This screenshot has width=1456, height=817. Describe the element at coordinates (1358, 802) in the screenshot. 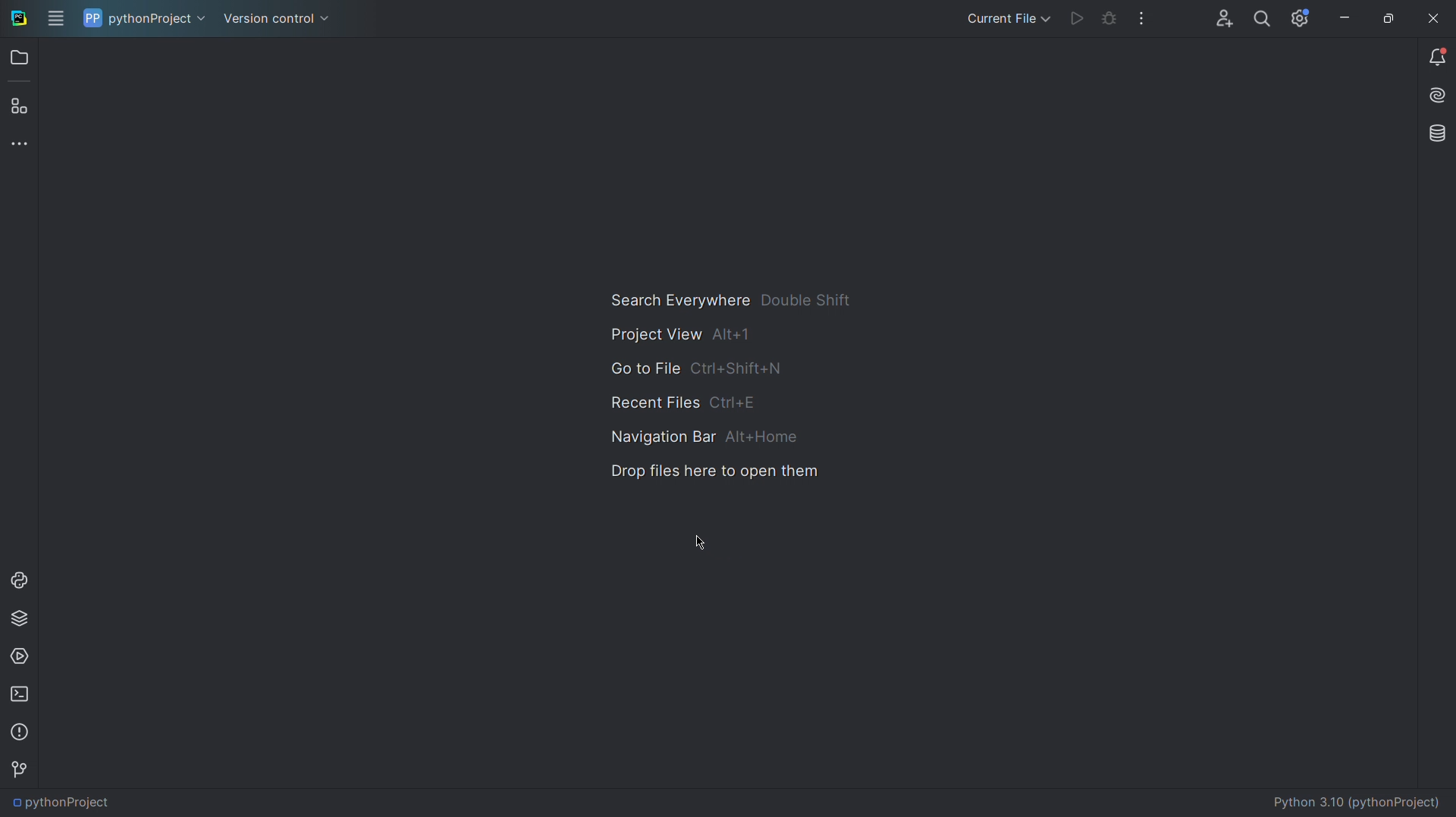

I see `Python 3.10 (pythonProject)` at that location.